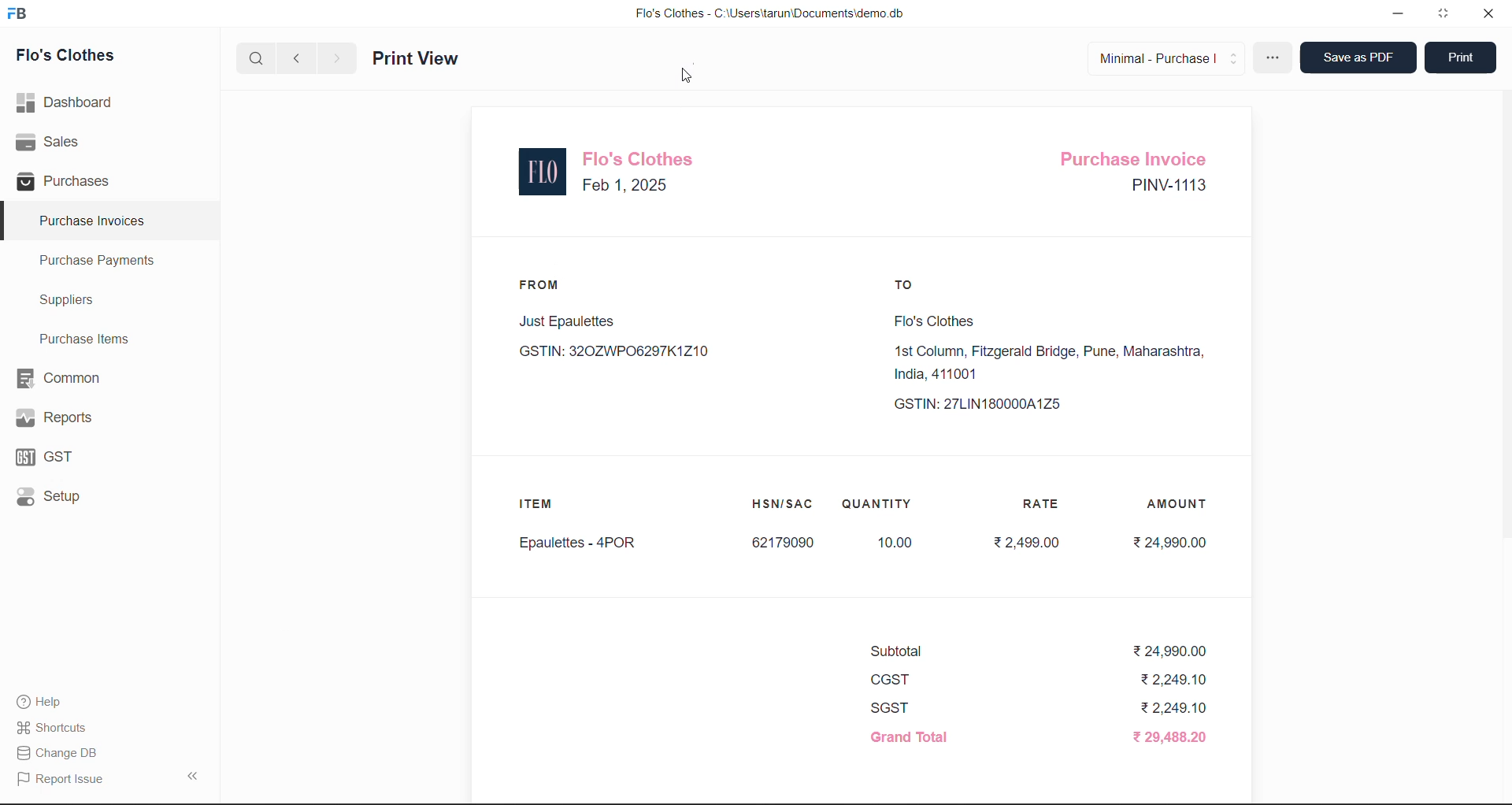 This screenshot has height=805, width=1512. Describe the element at coordinates (877, 506) in the screenshot. I see `QUANTITY` at that location.